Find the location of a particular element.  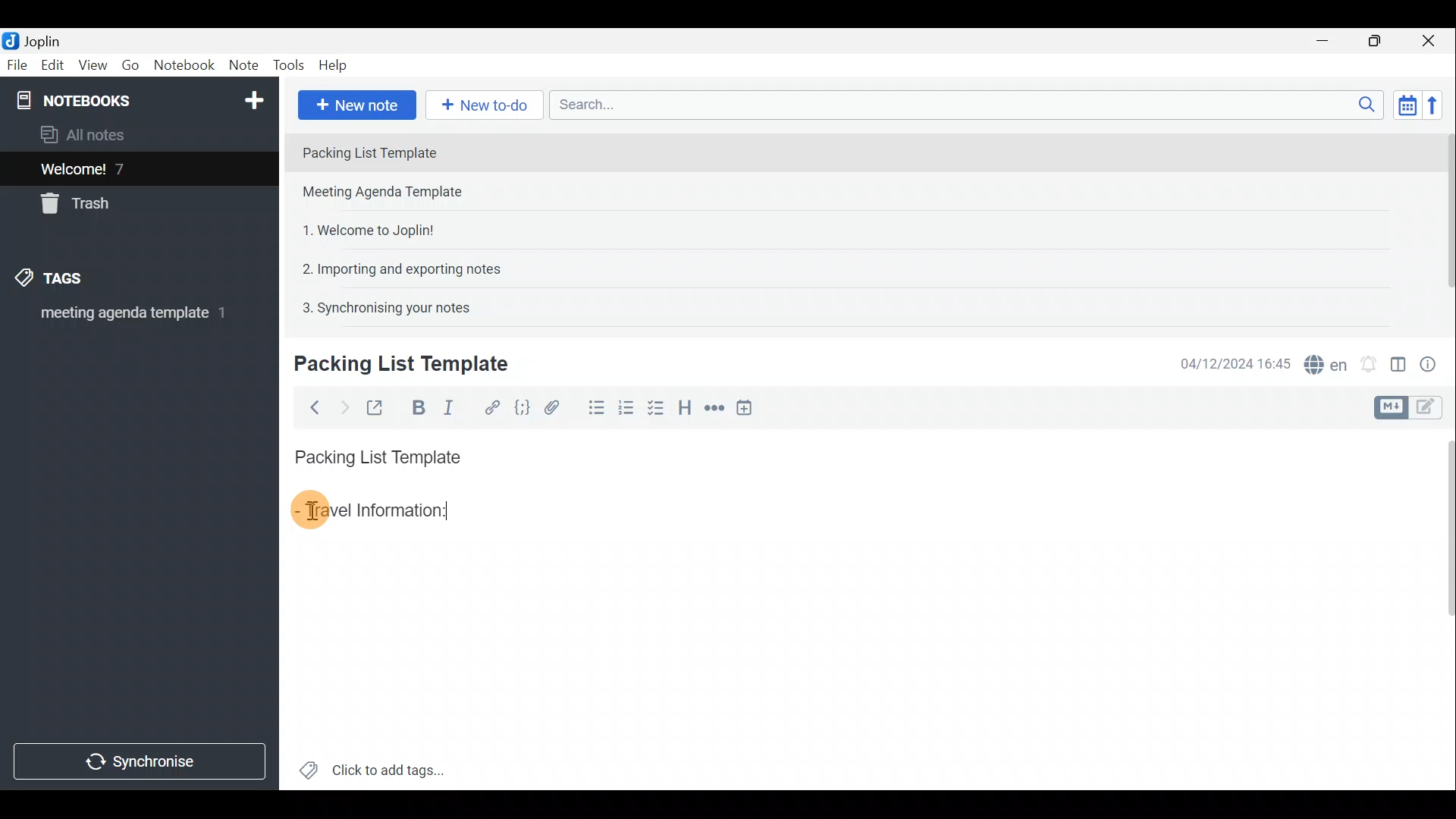

New note is located at coordinates (356, 103).